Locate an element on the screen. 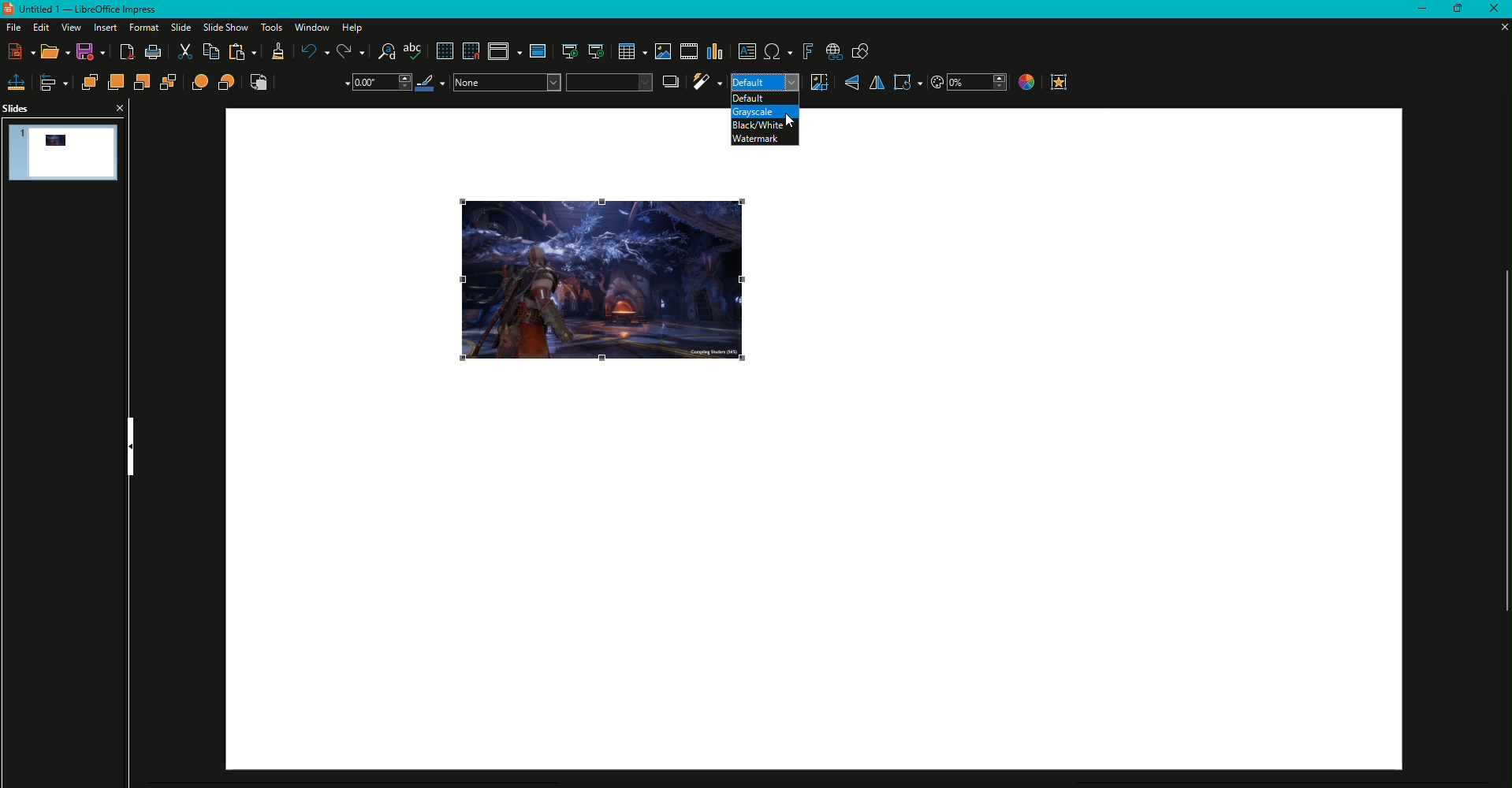 This screenshot has height=788, width=1512. Insert Audio Video is located at coordinates (687, 52).